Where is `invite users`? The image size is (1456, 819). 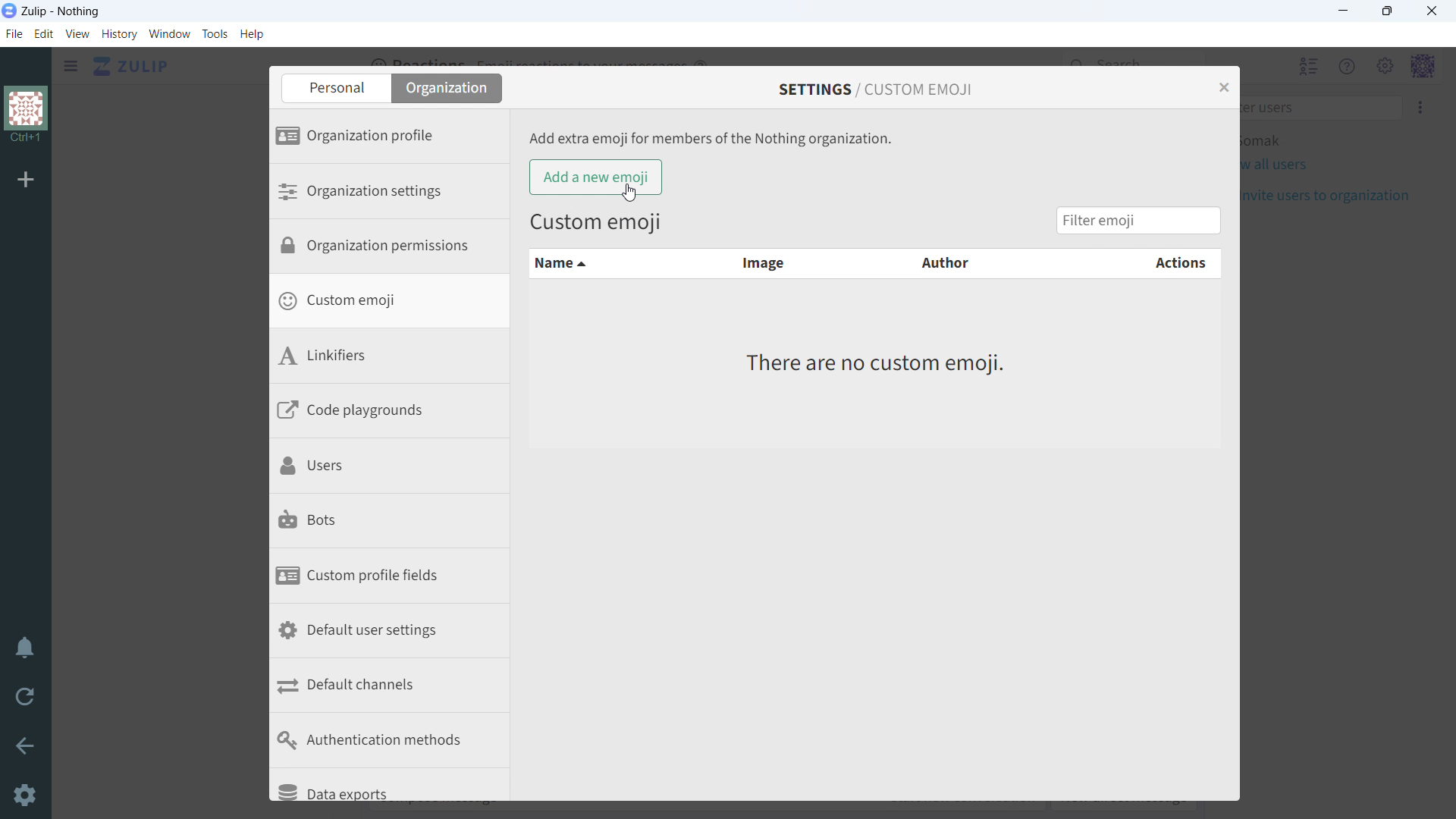 invite users is located at coordinates (1330, 196).